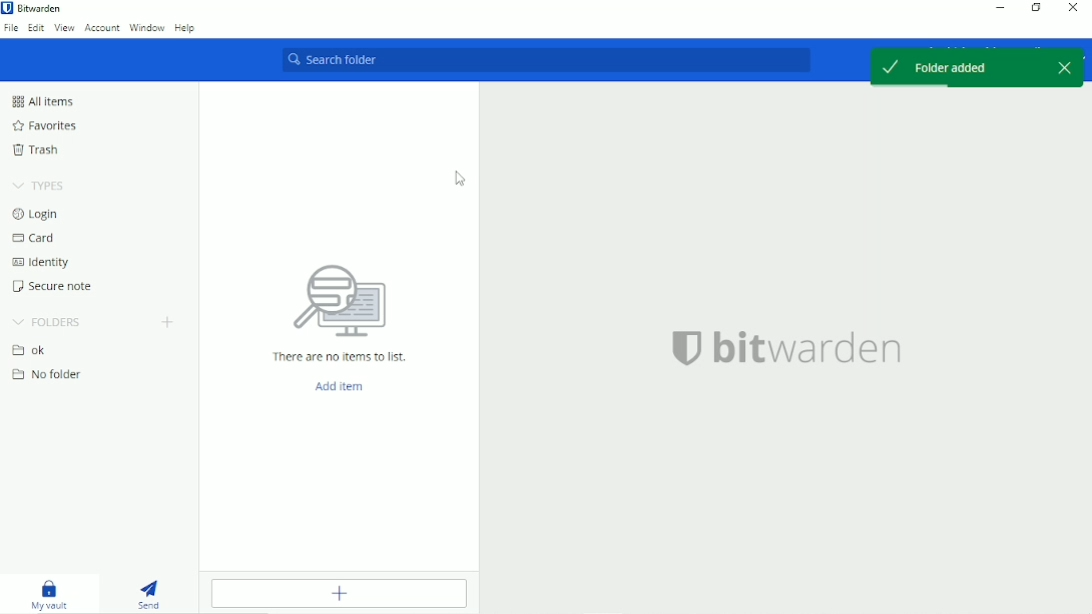 The height and width of the screenshot is (614, 1092). I want to click on Window, so click(148, 29).